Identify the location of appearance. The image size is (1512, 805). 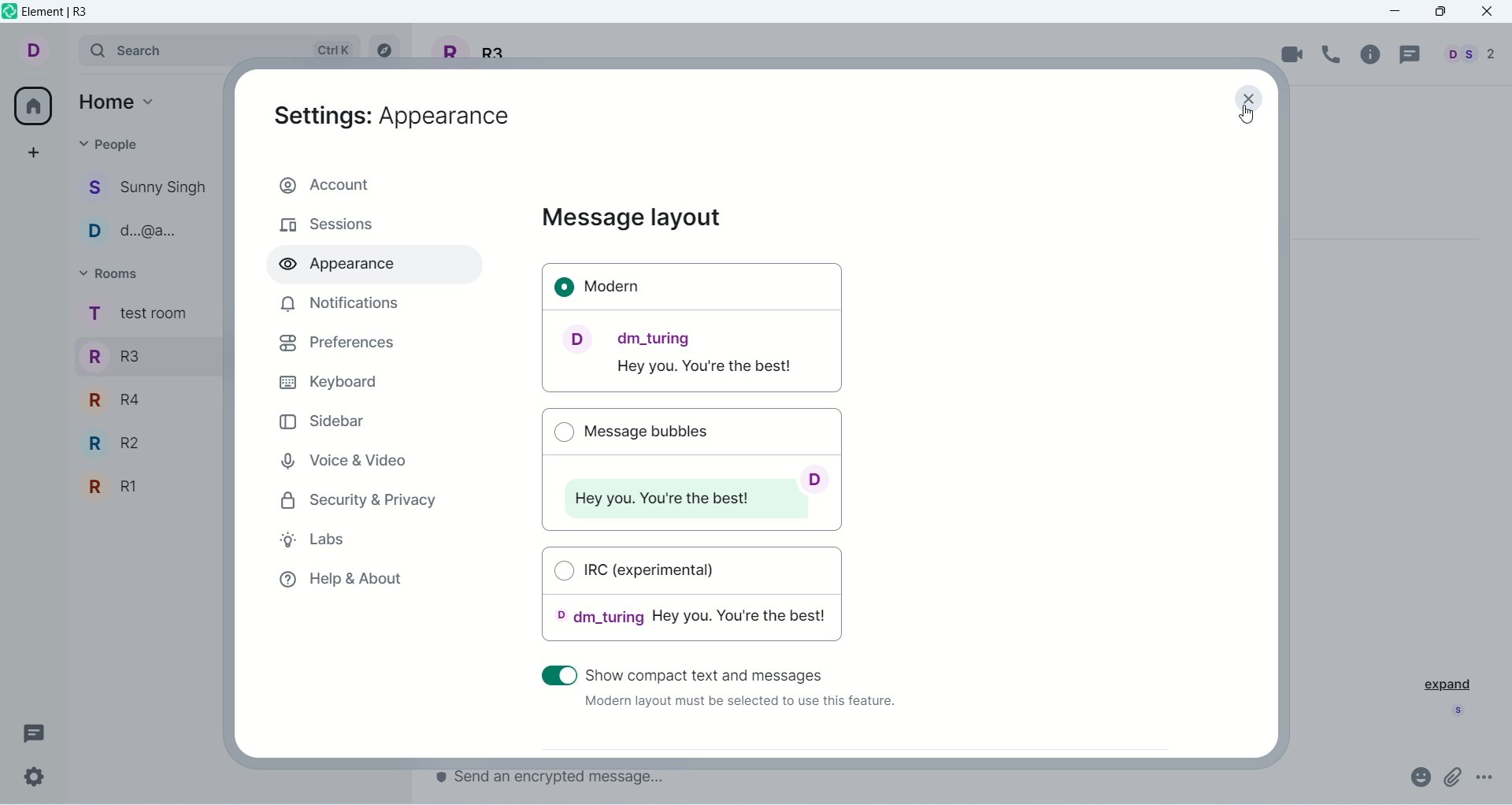
(393, 116).